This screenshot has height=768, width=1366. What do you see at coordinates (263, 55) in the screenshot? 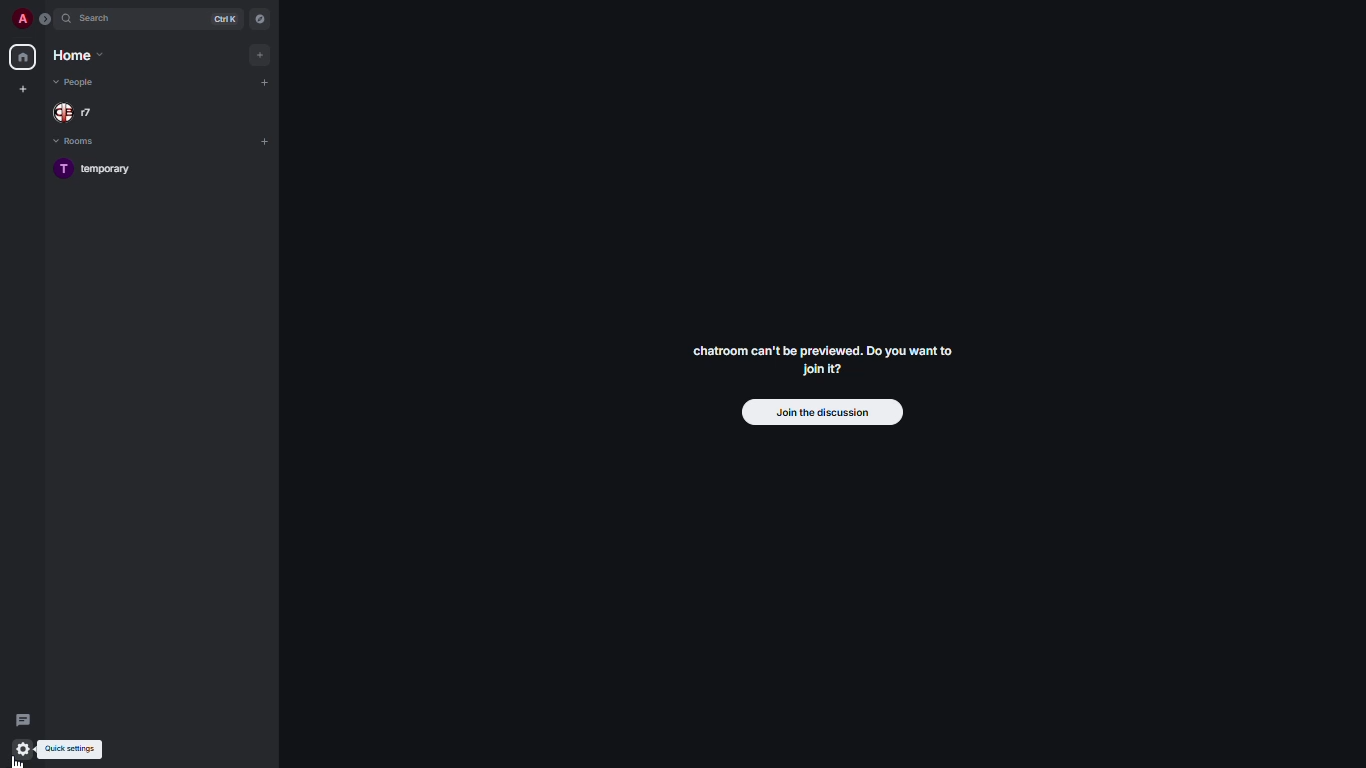
I see `add` at bounding box center [263, 55].